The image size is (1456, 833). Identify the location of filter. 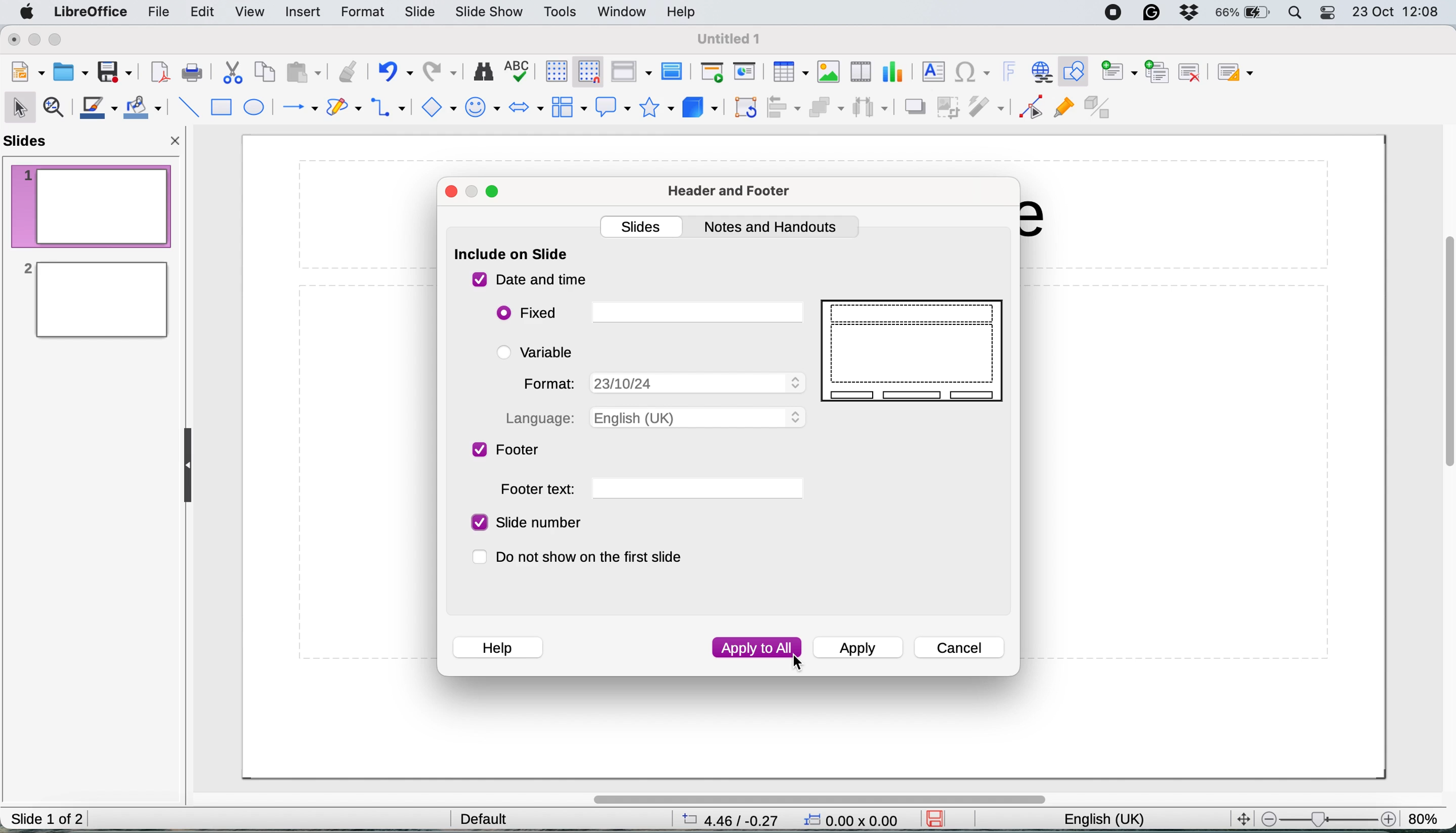
(989, 108).